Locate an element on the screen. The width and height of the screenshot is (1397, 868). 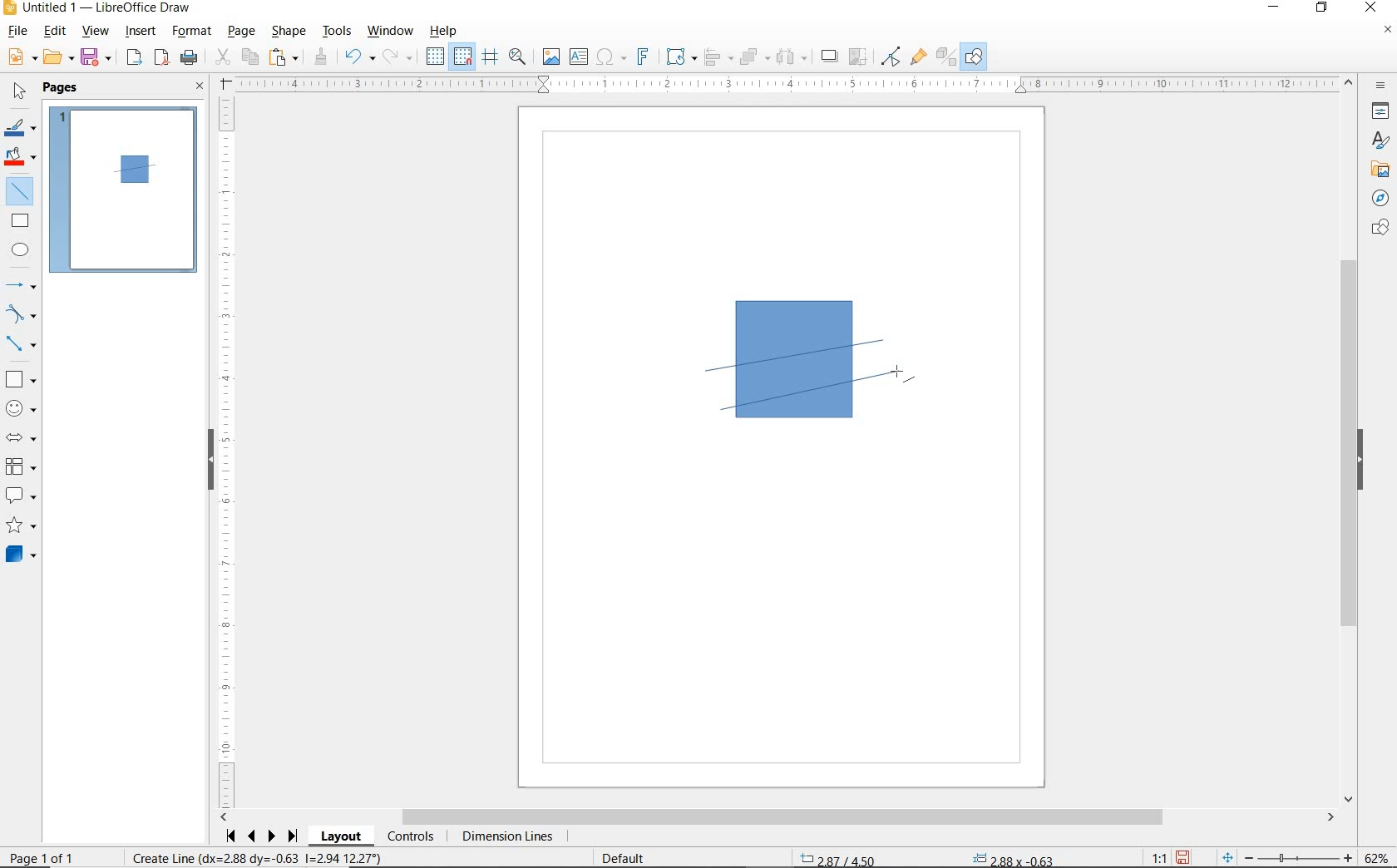
SHOW GLUEPOINT FUNCTIONS is located at coordinates (917, 56).